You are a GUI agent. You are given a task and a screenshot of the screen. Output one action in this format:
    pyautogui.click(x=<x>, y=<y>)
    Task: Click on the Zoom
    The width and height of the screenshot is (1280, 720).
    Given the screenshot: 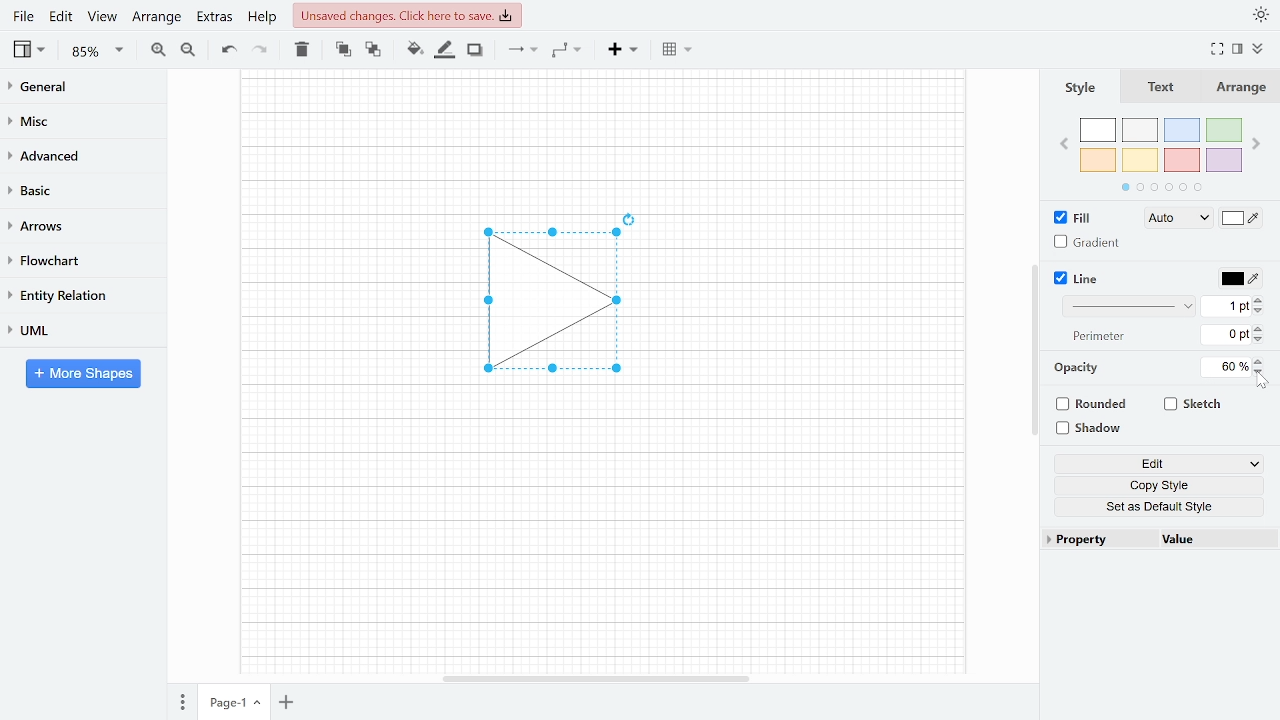 What is the action you would take?
    pyautogui.click(x=98, y=51)
    